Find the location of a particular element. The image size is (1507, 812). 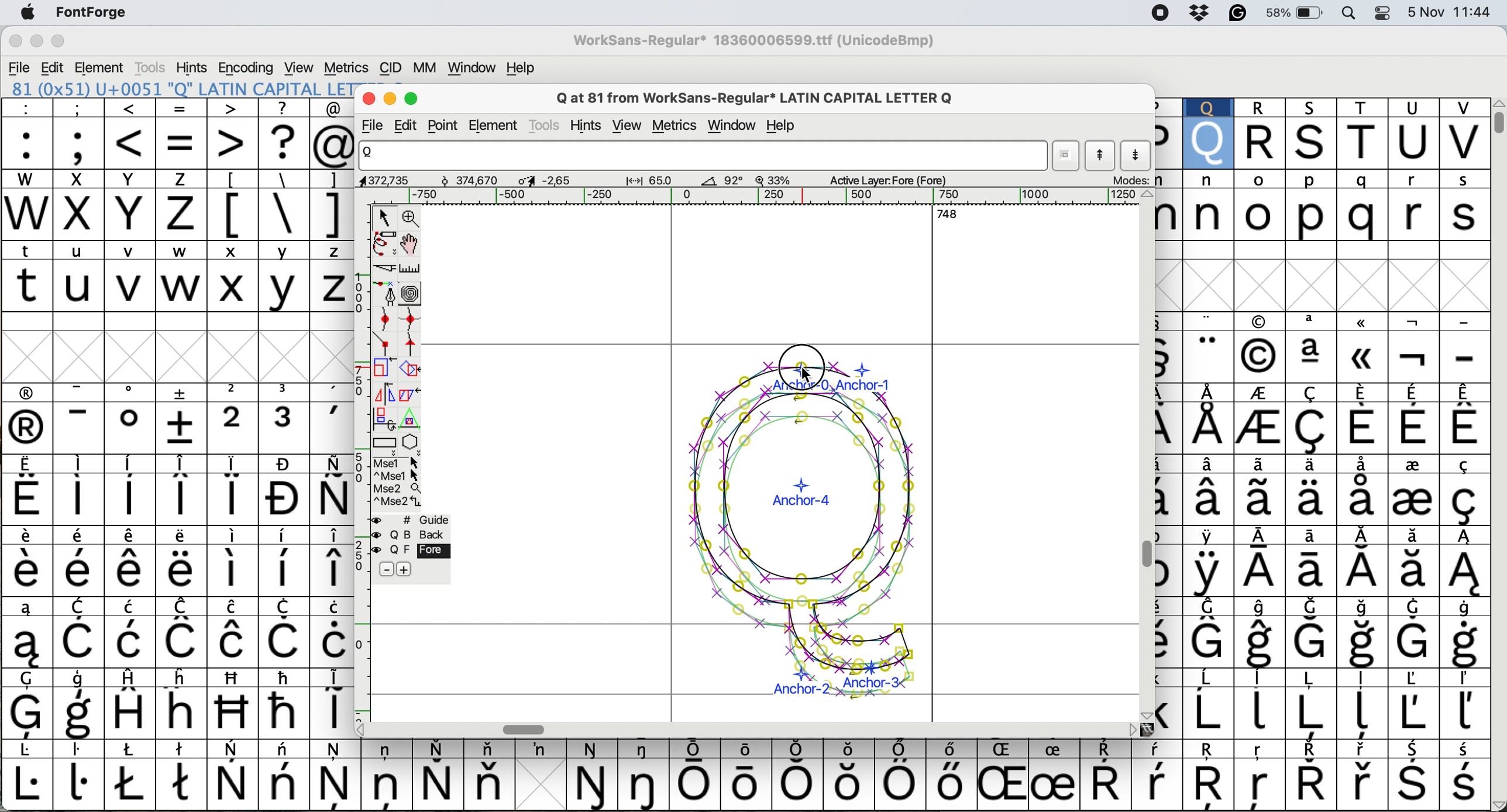

draw freehand scale is located at coordinates (386, 245).